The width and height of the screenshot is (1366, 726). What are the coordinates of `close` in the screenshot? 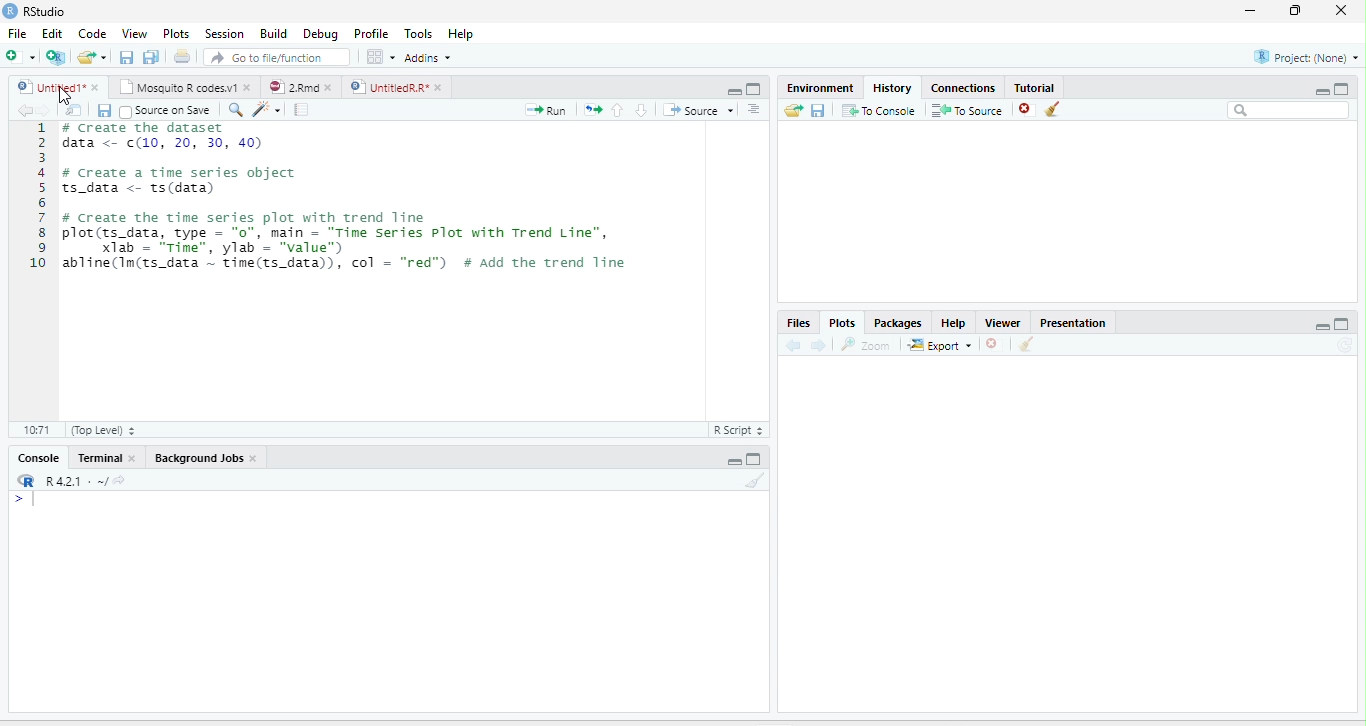 It's located at (1341, 11).